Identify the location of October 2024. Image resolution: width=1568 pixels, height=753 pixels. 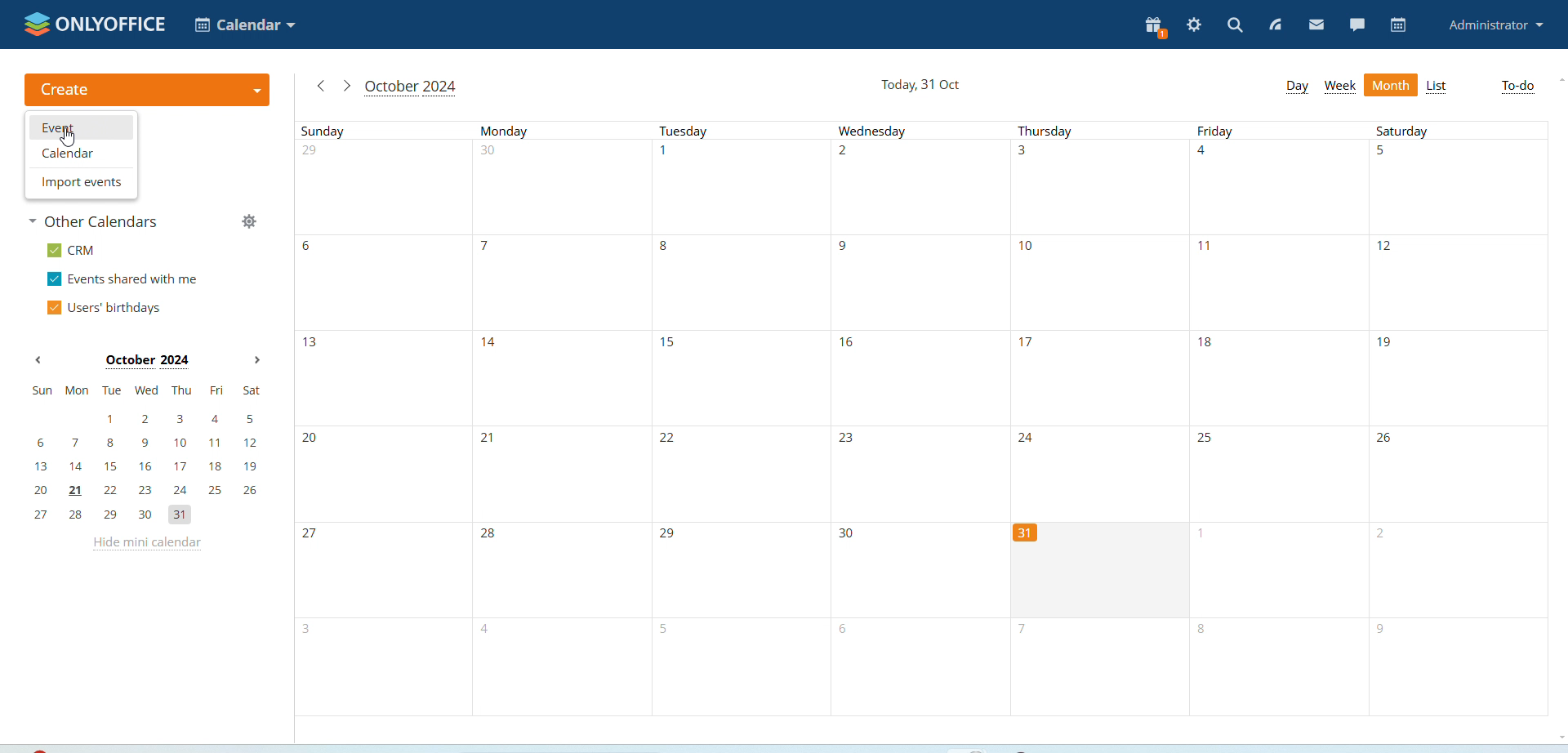
(139, 360).